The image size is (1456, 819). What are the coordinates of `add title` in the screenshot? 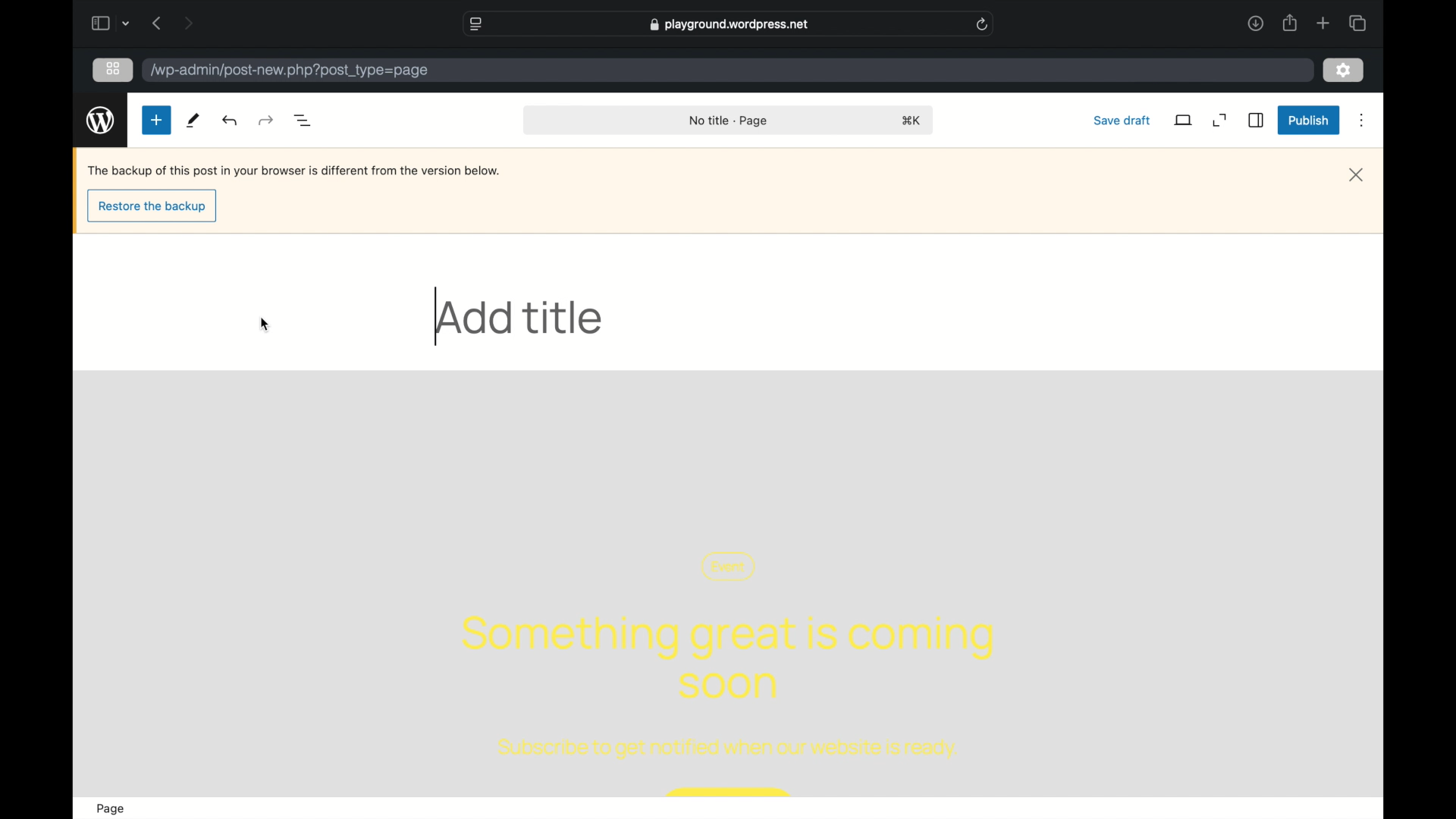 It's located at (523, 318).